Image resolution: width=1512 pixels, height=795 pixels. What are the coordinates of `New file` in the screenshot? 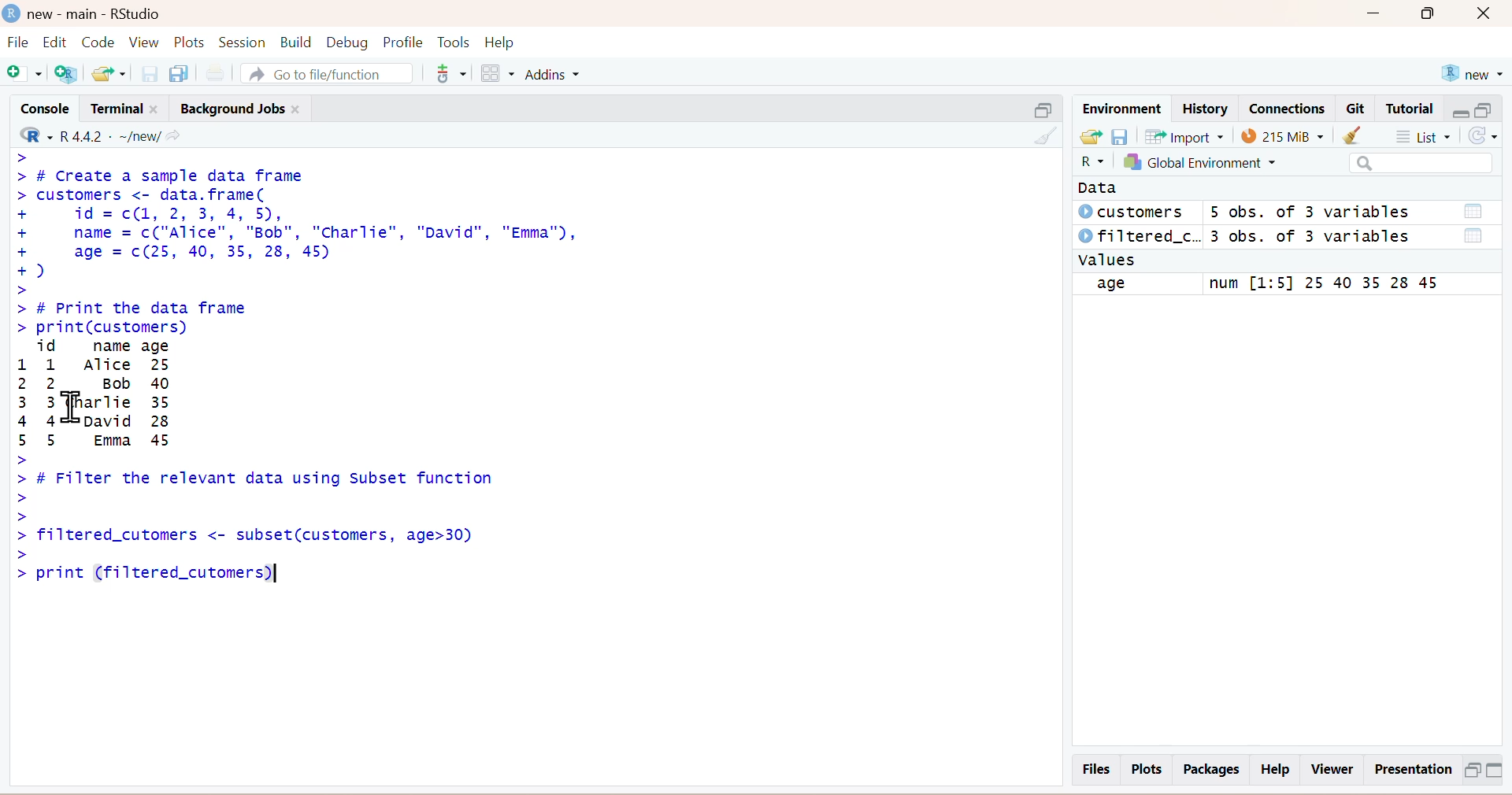 It's located at (25, 73).